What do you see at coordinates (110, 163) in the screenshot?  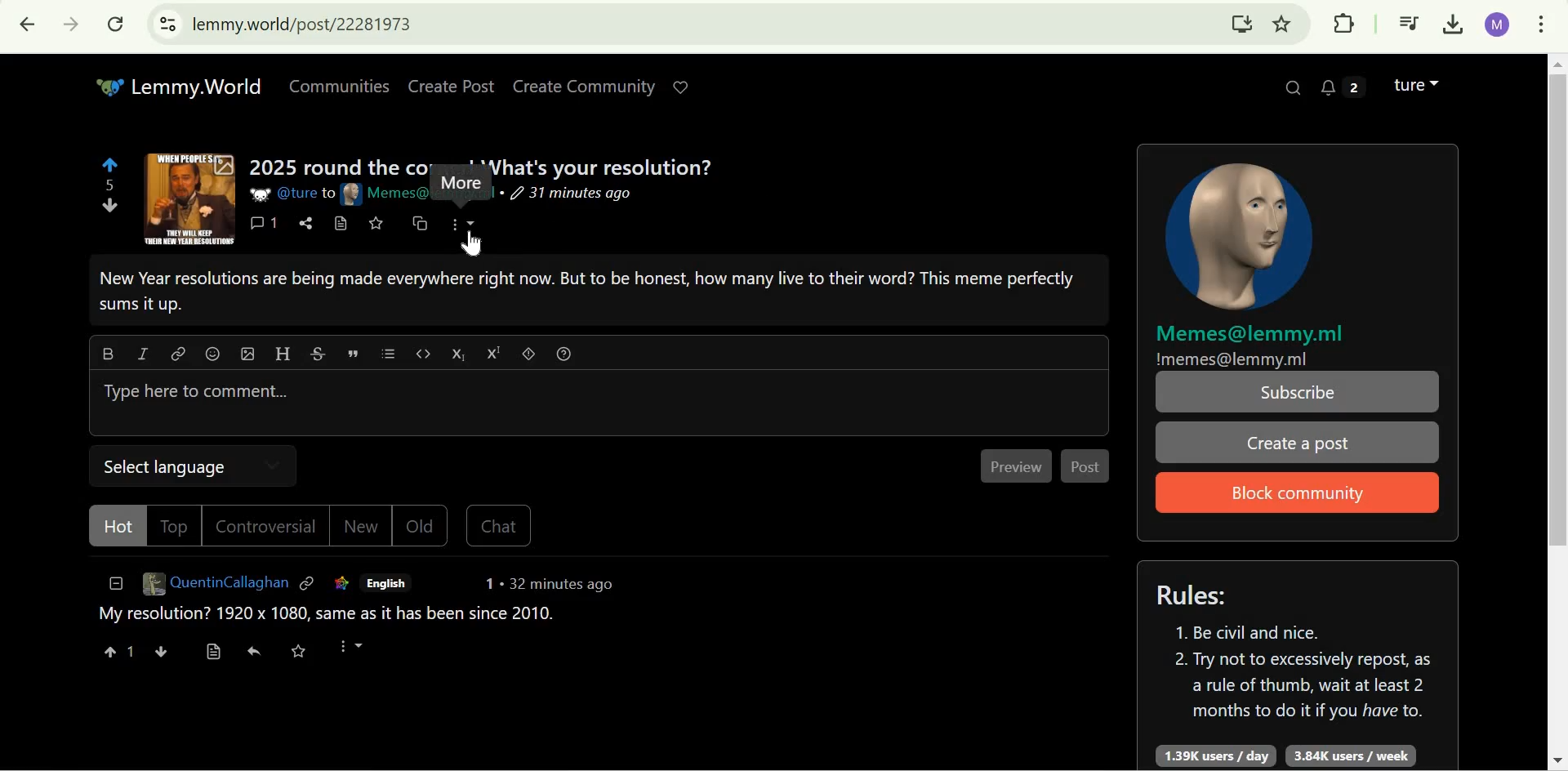 I see `upvote` at bounding box center [110, 163].